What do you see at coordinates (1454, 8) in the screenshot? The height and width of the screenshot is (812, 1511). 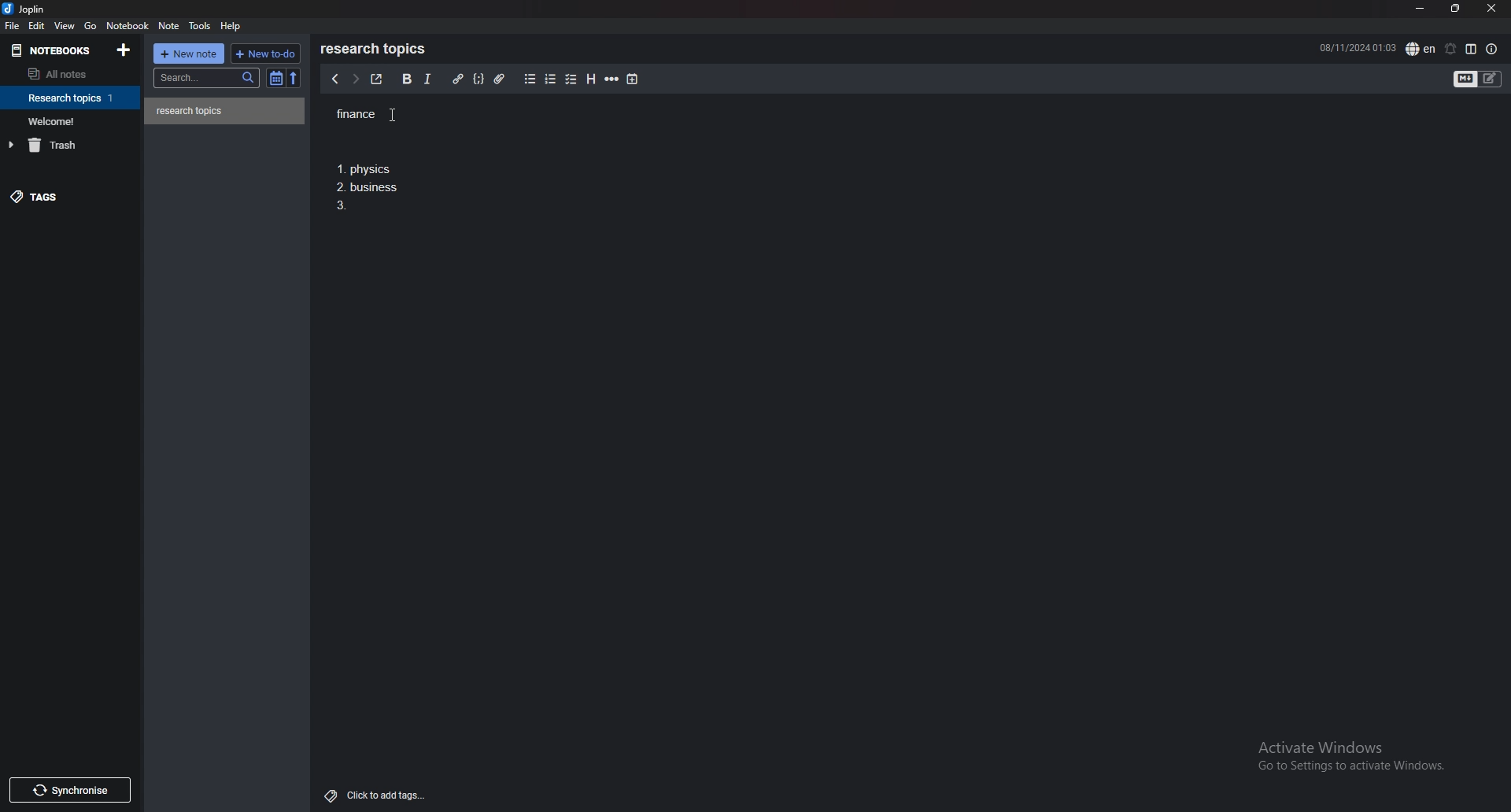 I see `resize` at bounding box center [1454, 8].